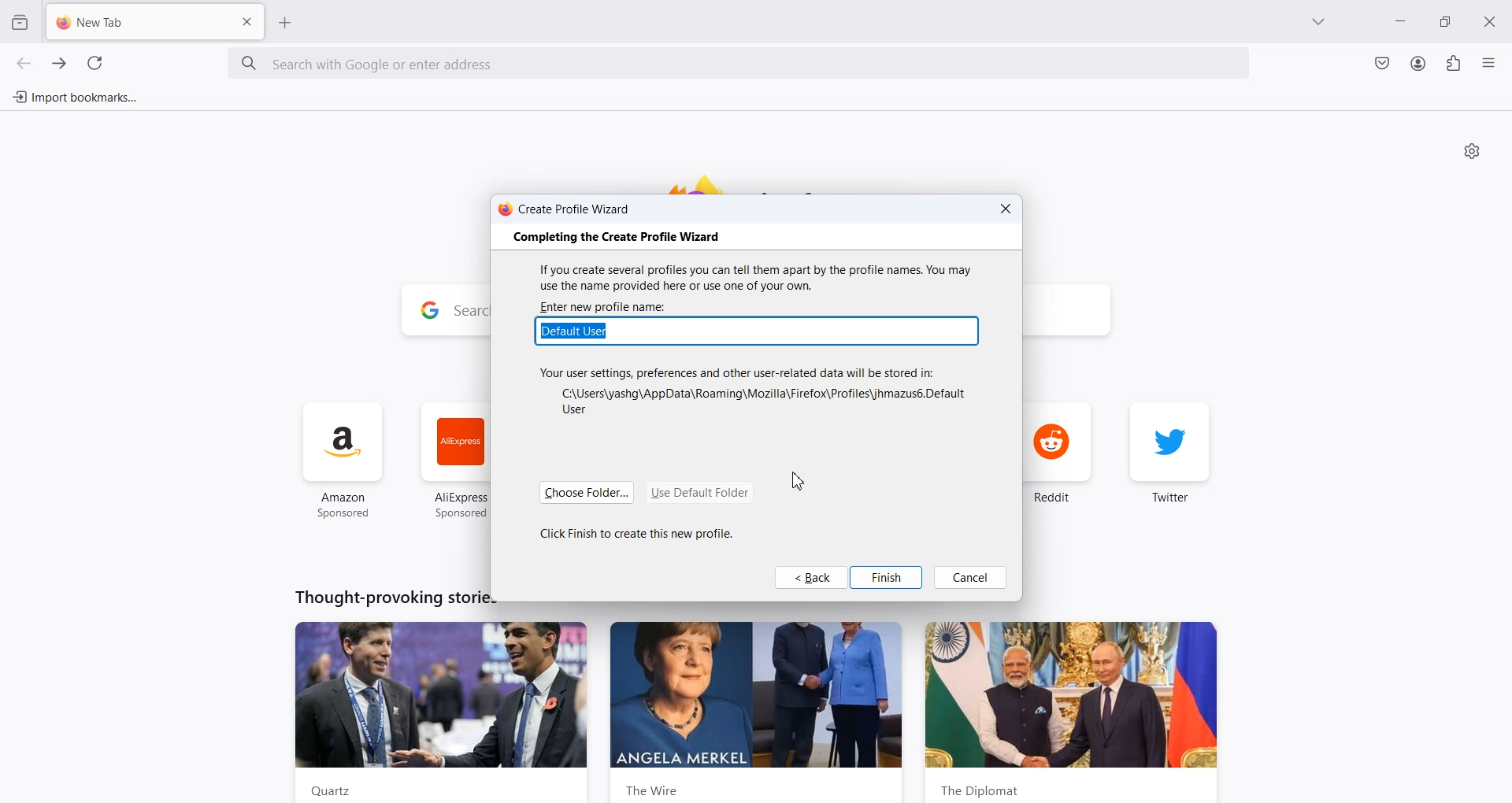  Describe the element at coordinates (1453, 64) in the screenshot. I see `Extensions` at that location.